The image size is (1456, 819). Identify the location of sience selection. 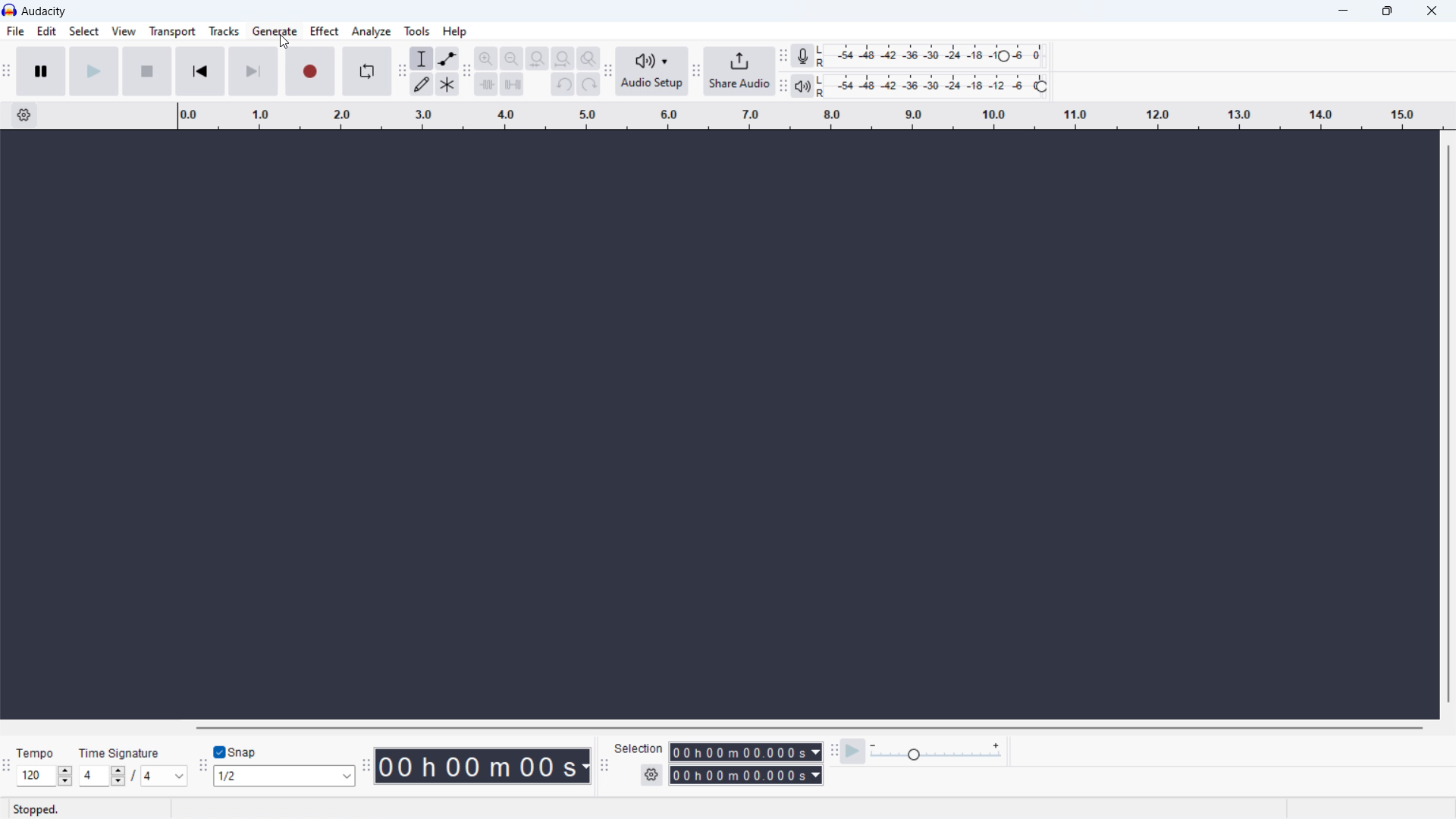
(513, 83).